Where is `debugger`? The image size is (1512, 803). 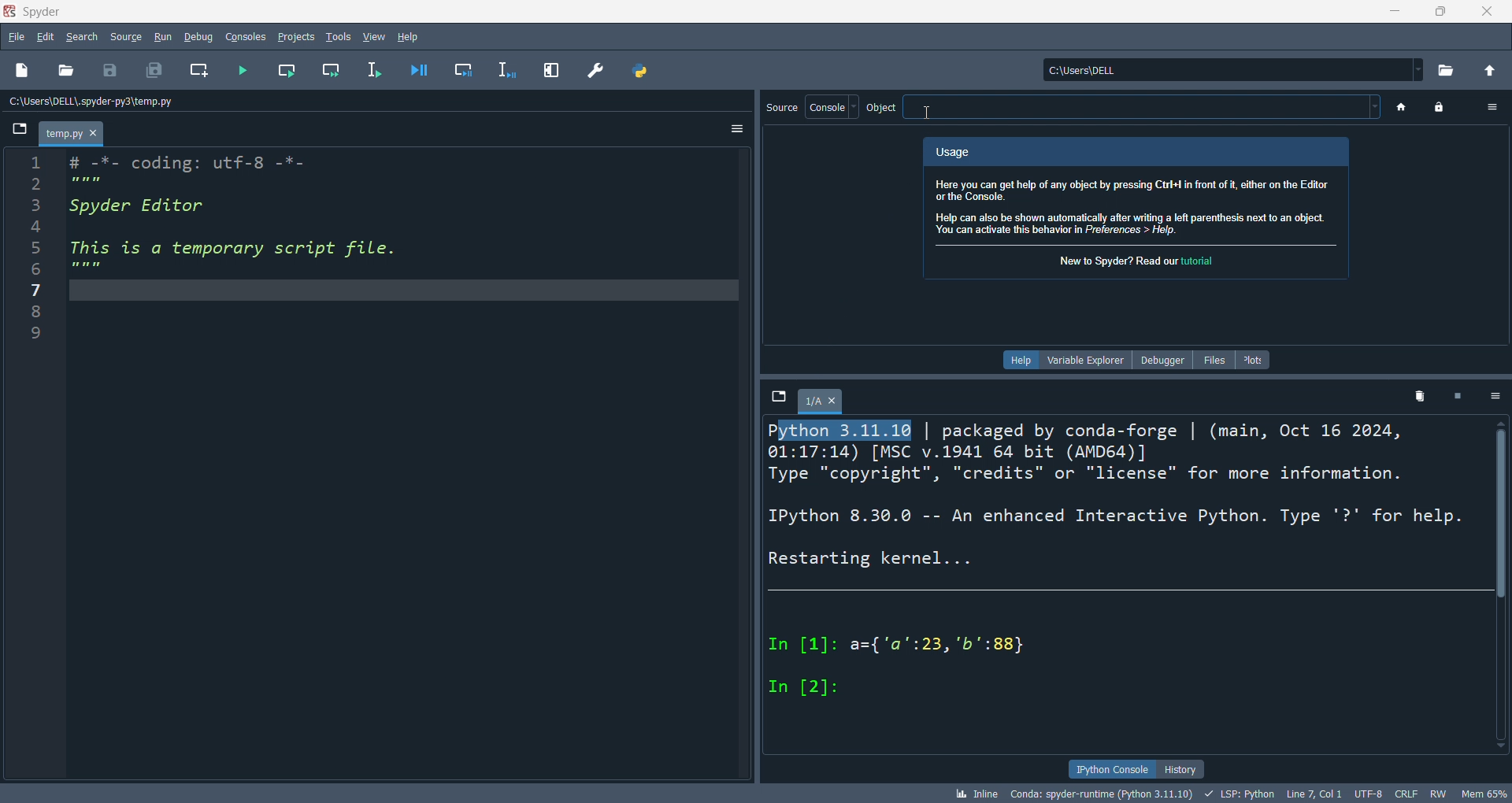
debugger is located at coordinates (1158, 361).